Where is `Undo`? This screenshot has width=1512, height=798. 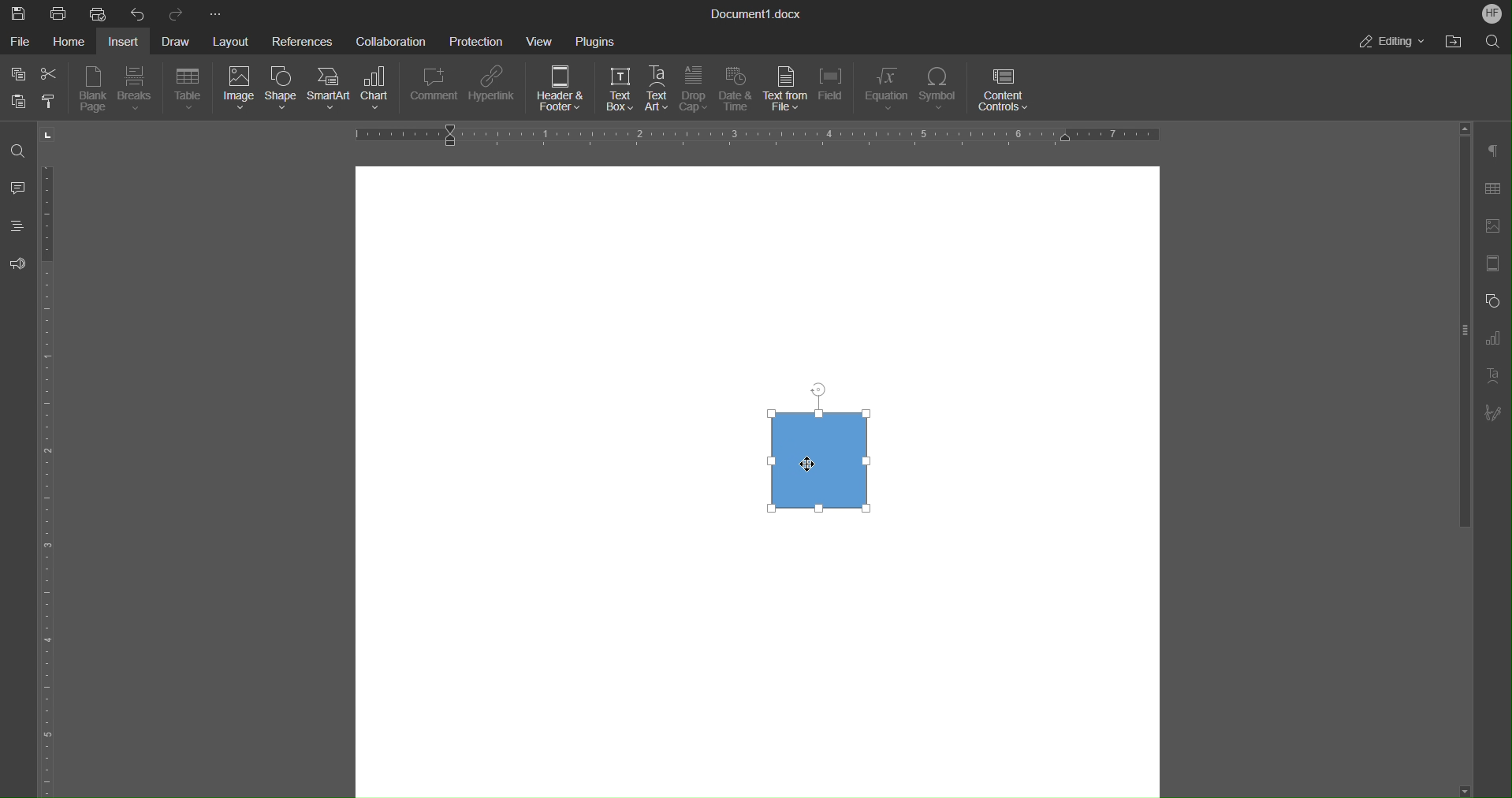 Undo is located at coordinates (138, 13).